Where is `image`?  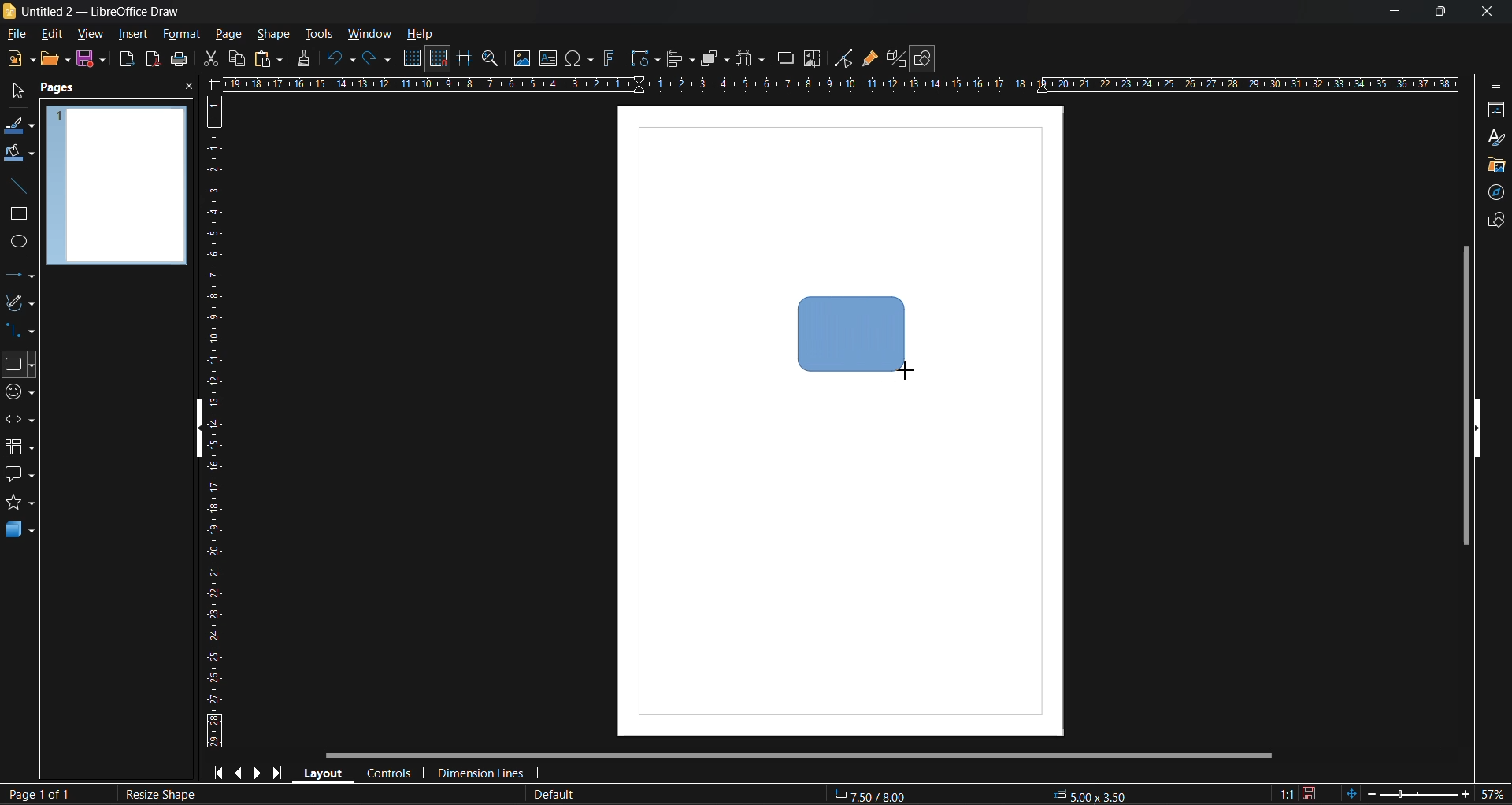 image is located at coordinates (521, 58).